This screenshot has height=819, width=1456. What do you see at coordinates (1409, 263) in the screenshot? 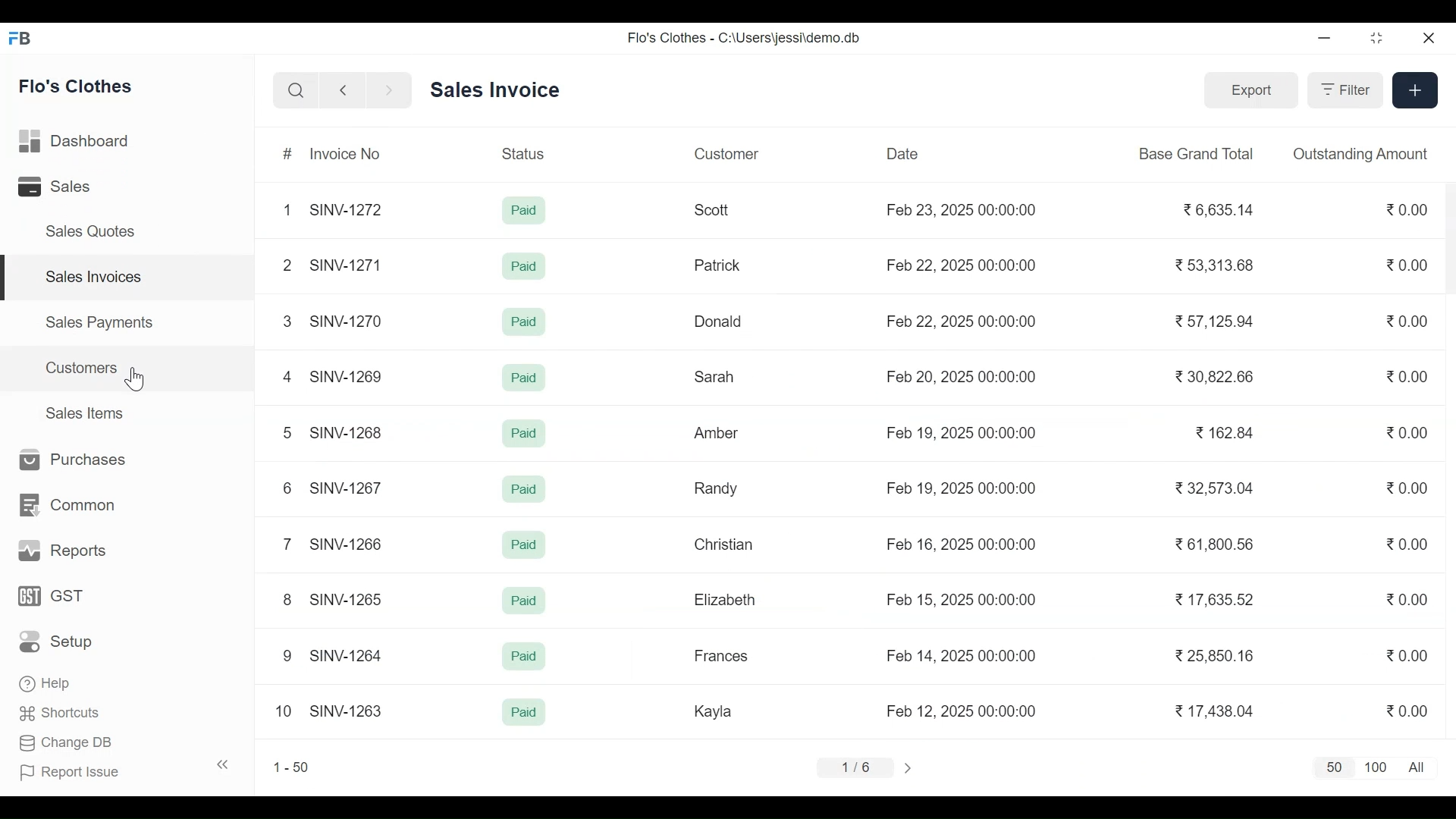
I see `0.00` at bounding box center [1409, 263].